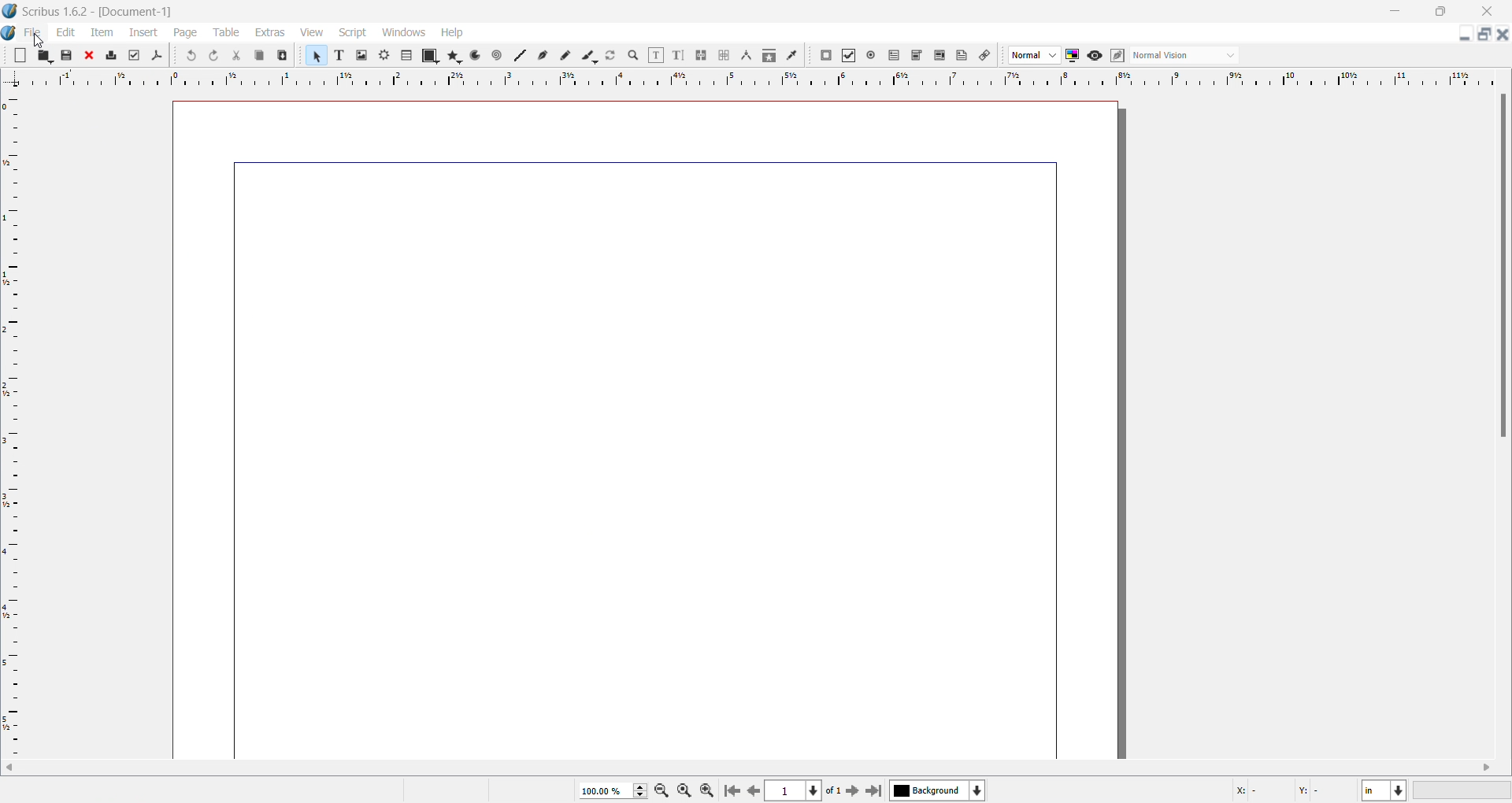 The height and width of the screenshot is (803, 1512). Describe the element at coordinates (1247, 793) in the screenshot. I see `X` at that location.